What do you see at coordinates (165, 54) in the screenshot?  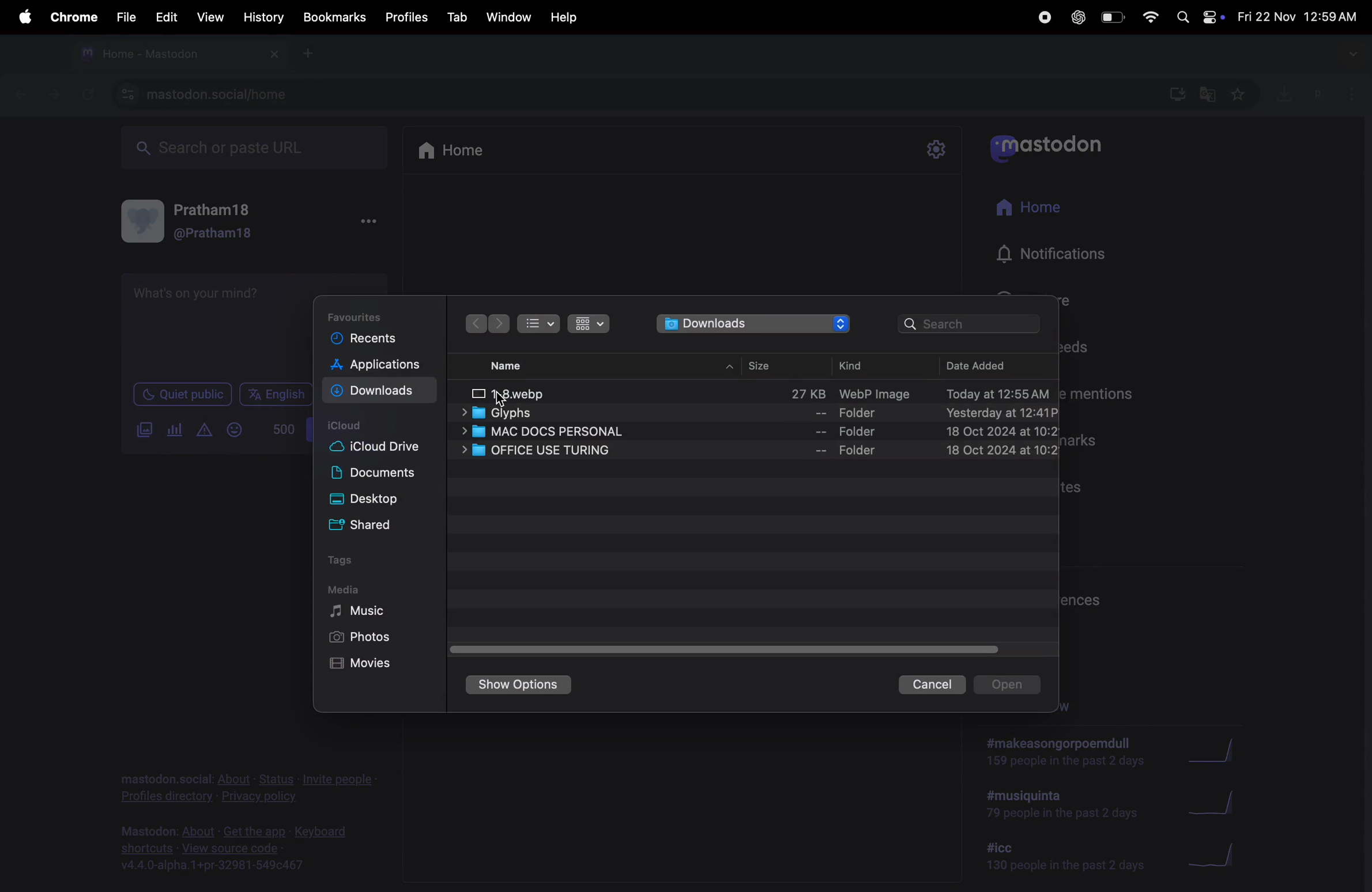 I see `tab mastodon` at bounding box center [165, 54].